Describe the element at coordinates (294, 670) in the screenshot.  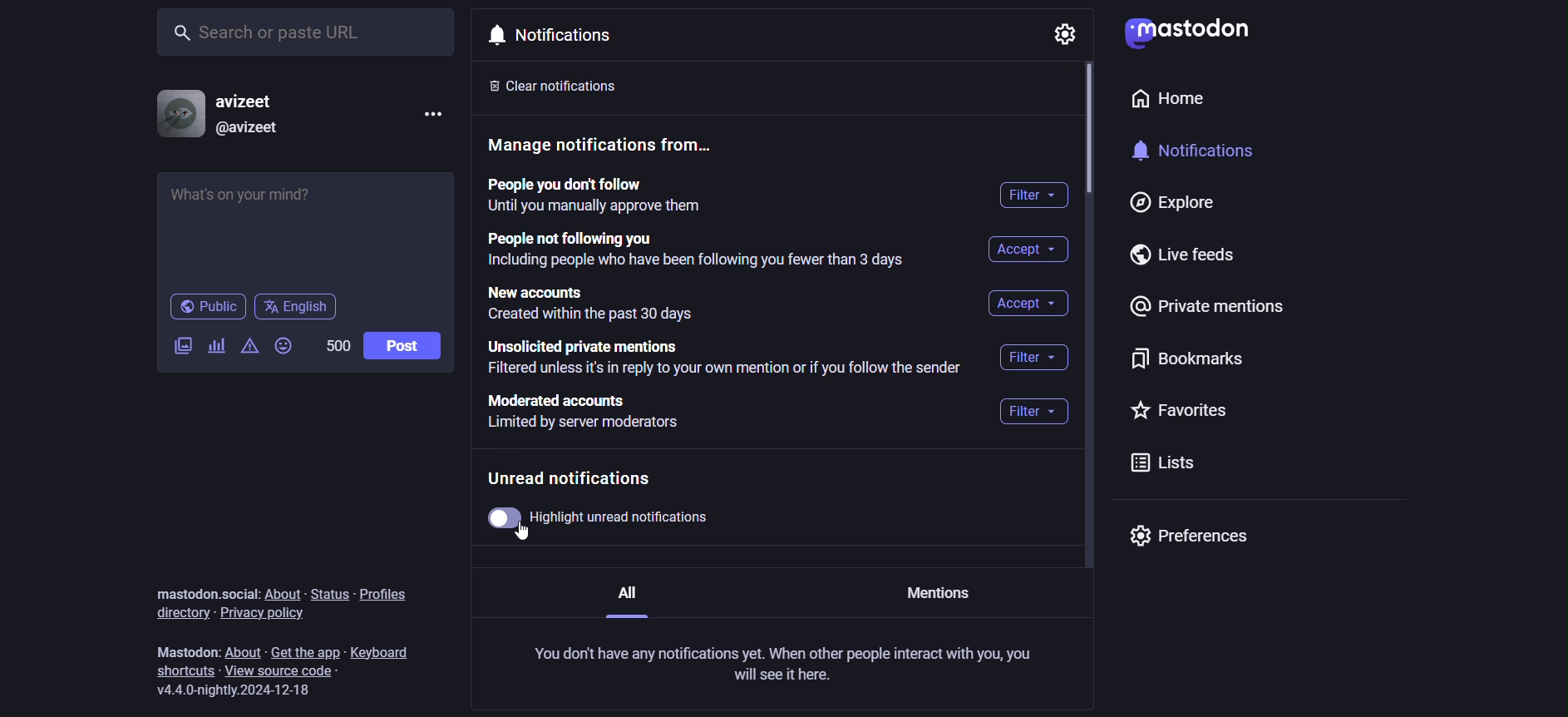
I see `view source code` at that location.